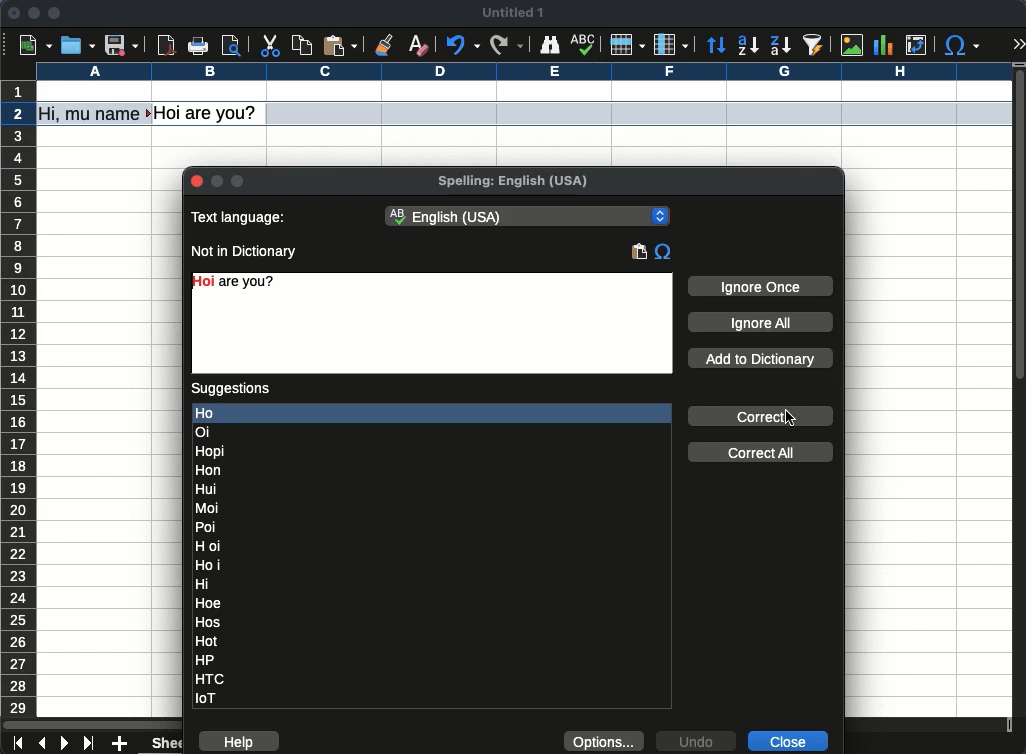 This screenshot has height=754, width=1026. I want to click on untitled 1, so click(512, 12).